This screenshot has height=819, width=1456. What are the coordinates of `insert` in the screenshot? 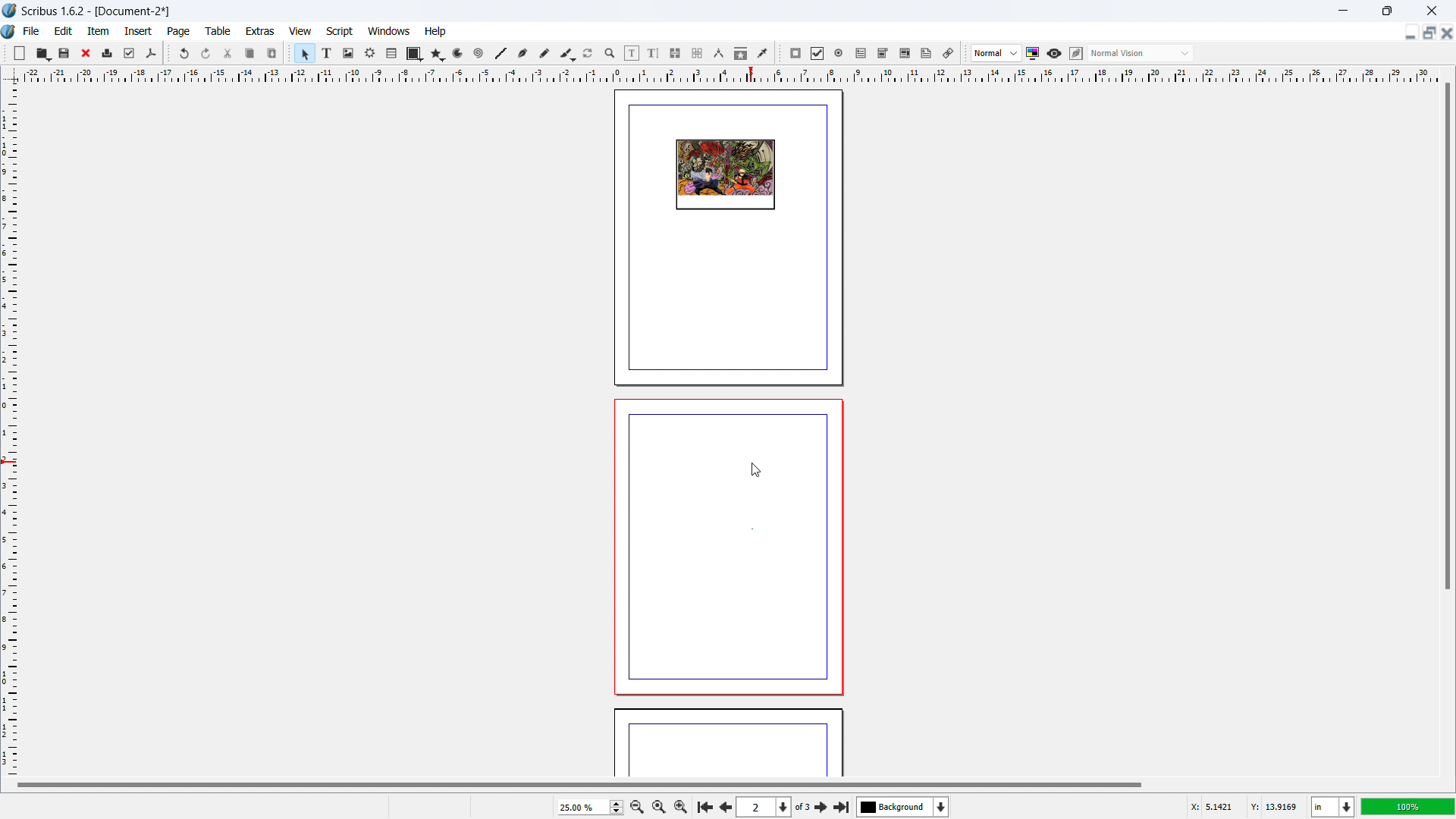 It's located at (140, 31).